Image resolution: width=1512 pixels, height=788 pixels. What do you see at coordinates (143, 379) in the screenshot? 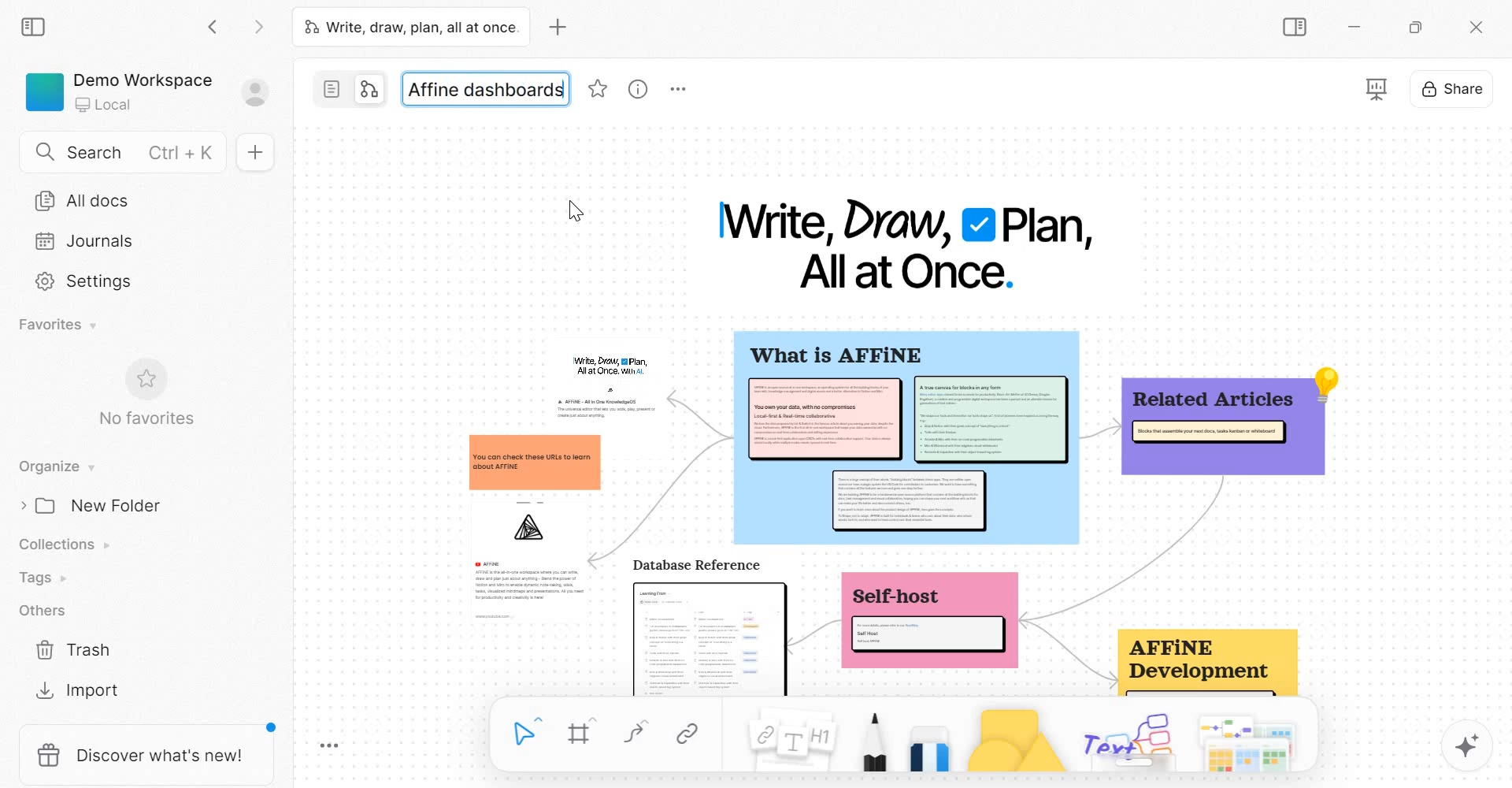
I see `favorite symbol` at bounding box center [143, 379].